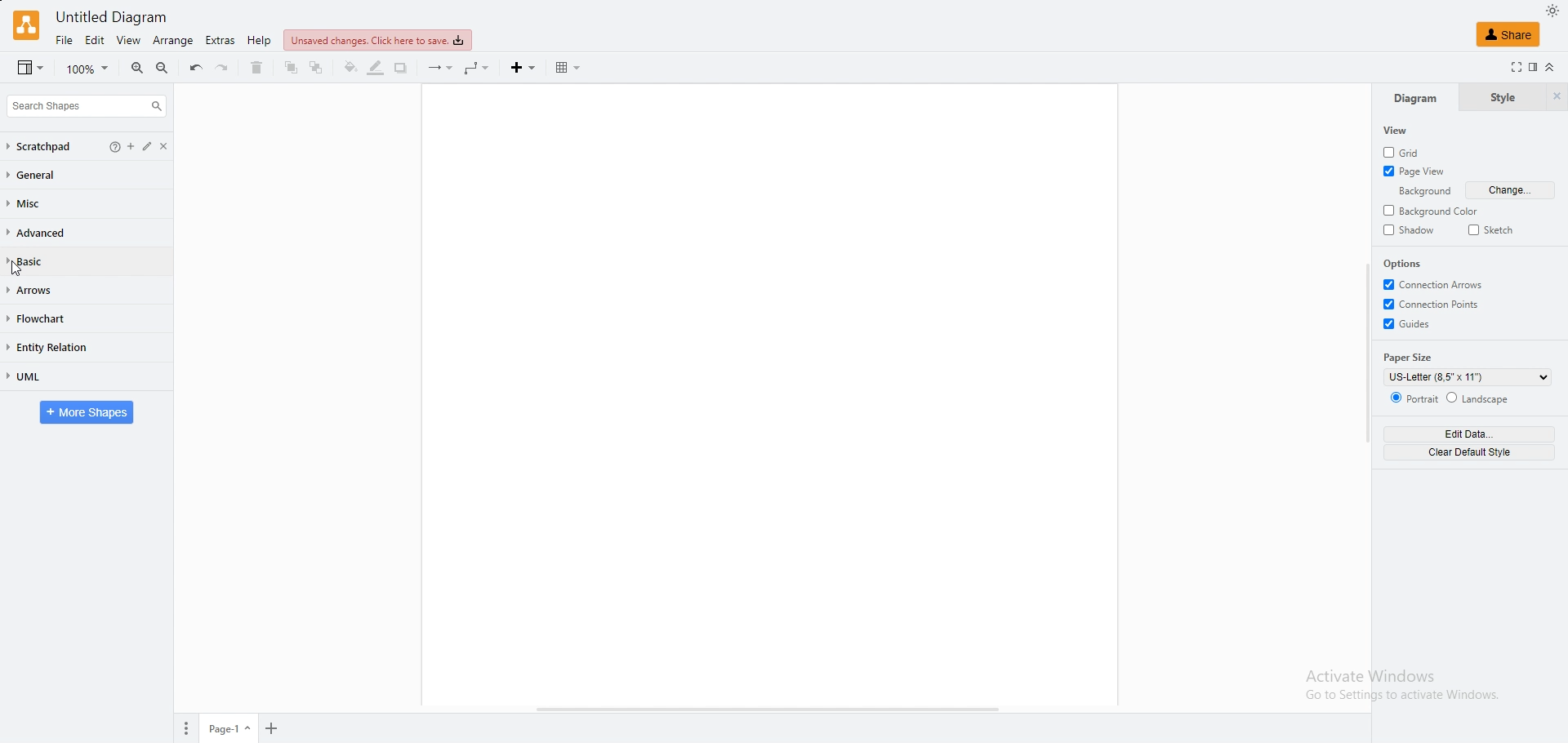 The height and width of the screenshot is (743, 1568). What do you see at coordinates (1400, 689) in the screenshot?
I see `Activate Windows
Go to Settings to activate Windows.` at bounding box center [1400, 689].